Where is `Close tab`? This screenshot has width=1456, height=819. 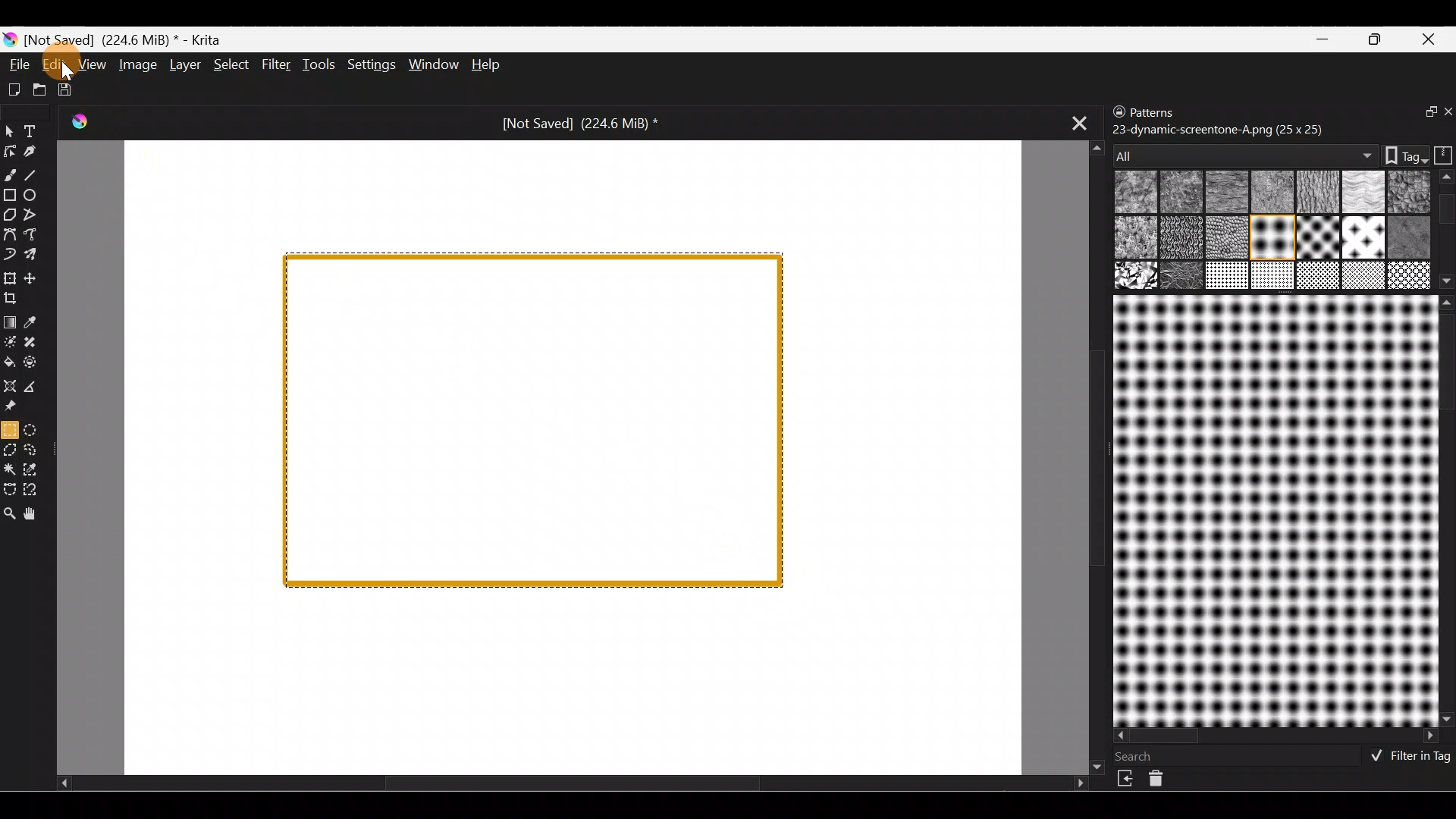 Close tab is located at coordinates (1073, 124).